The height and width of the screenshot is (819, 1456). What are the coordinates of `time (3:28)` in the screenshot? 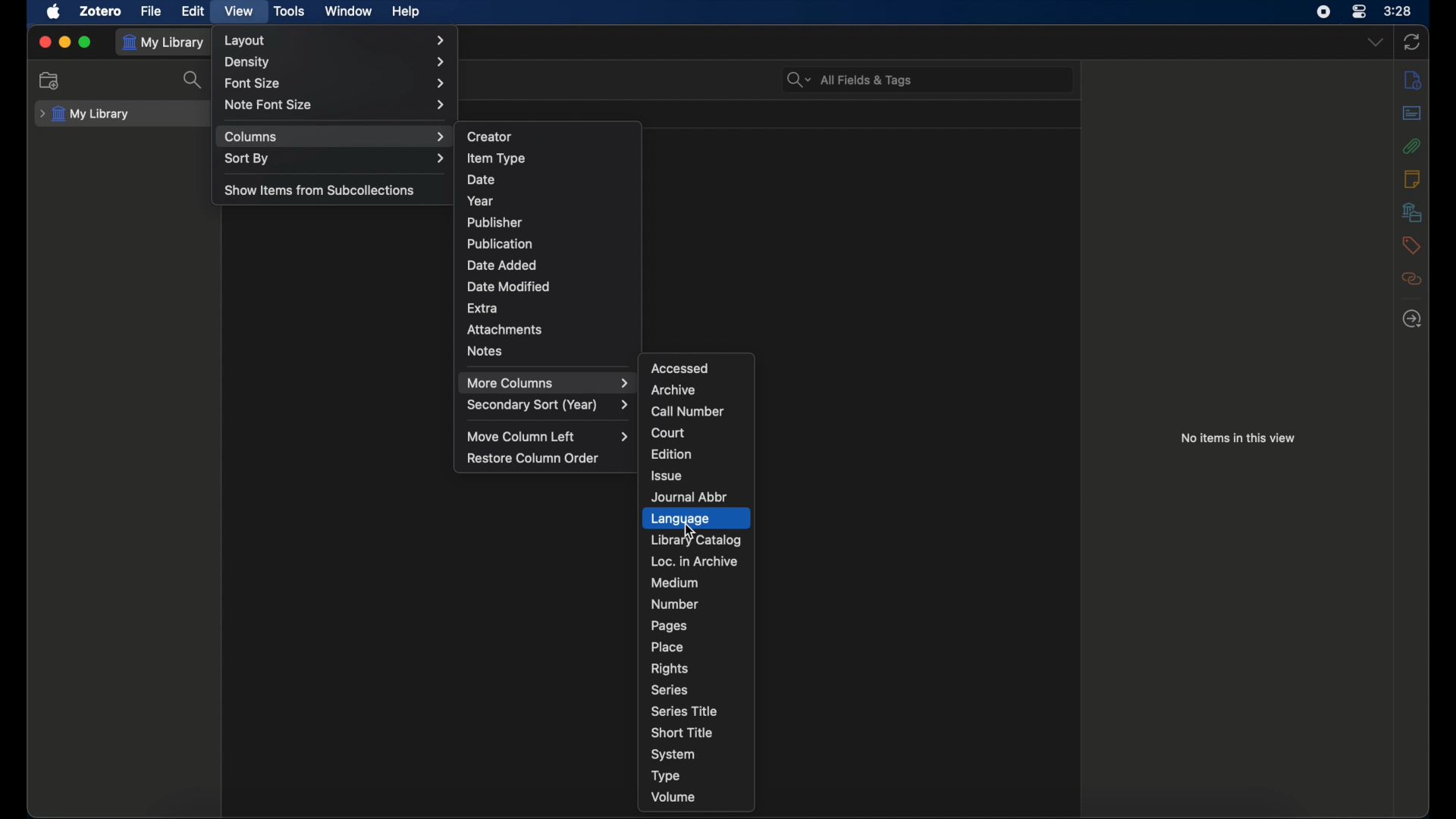 It's located at (1398, 10).